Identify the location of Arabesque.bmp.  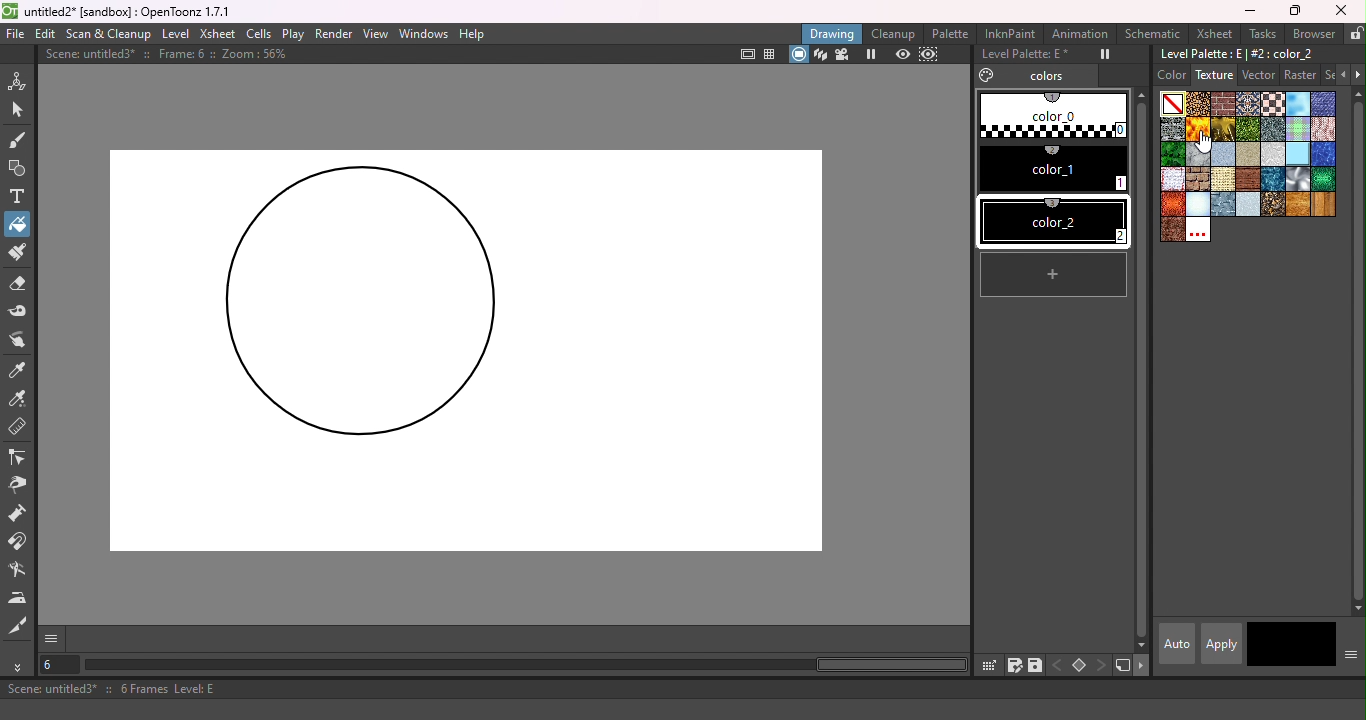
(1198, 103).